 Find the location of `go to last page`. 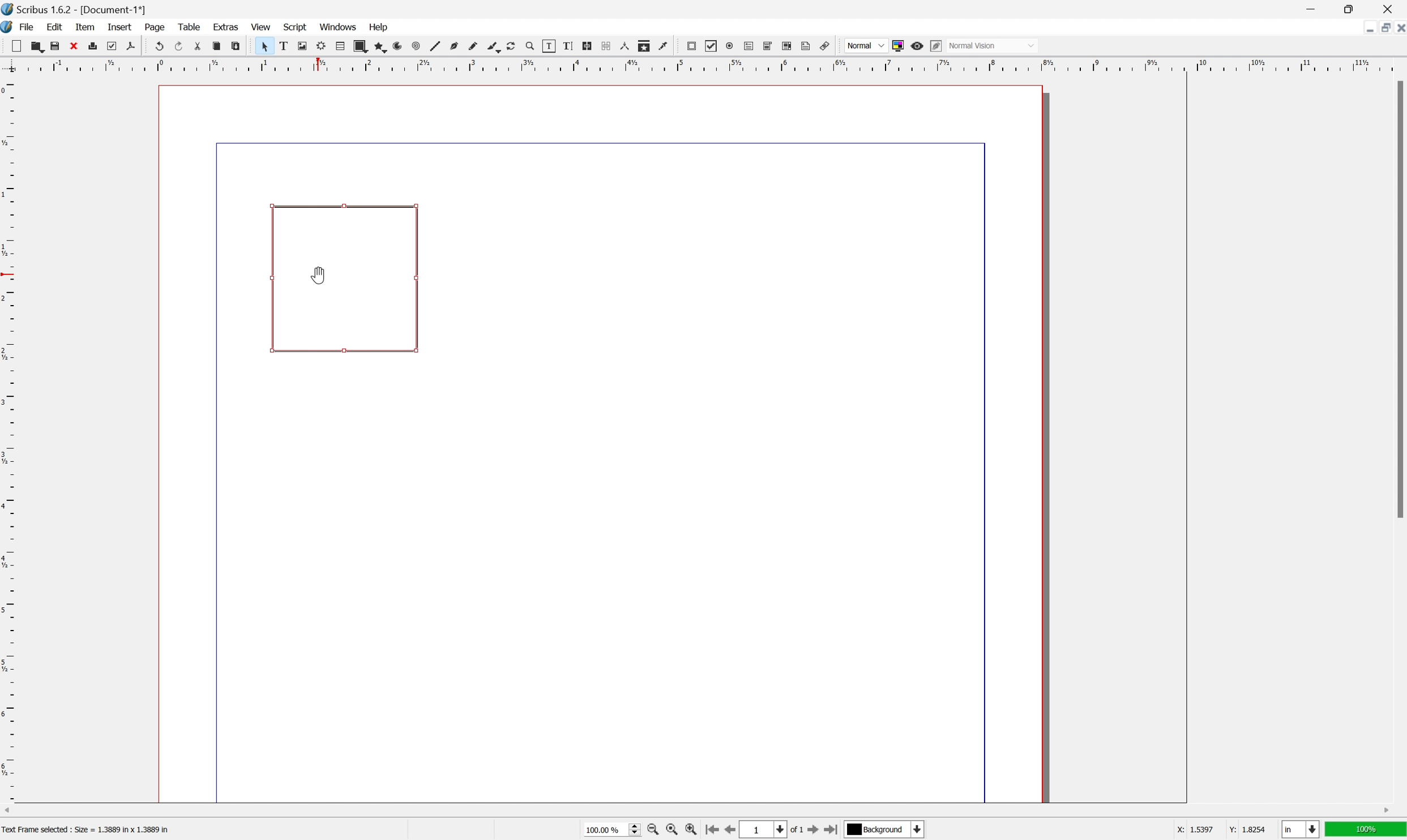

go to last page is located at coordinates (835, 832).